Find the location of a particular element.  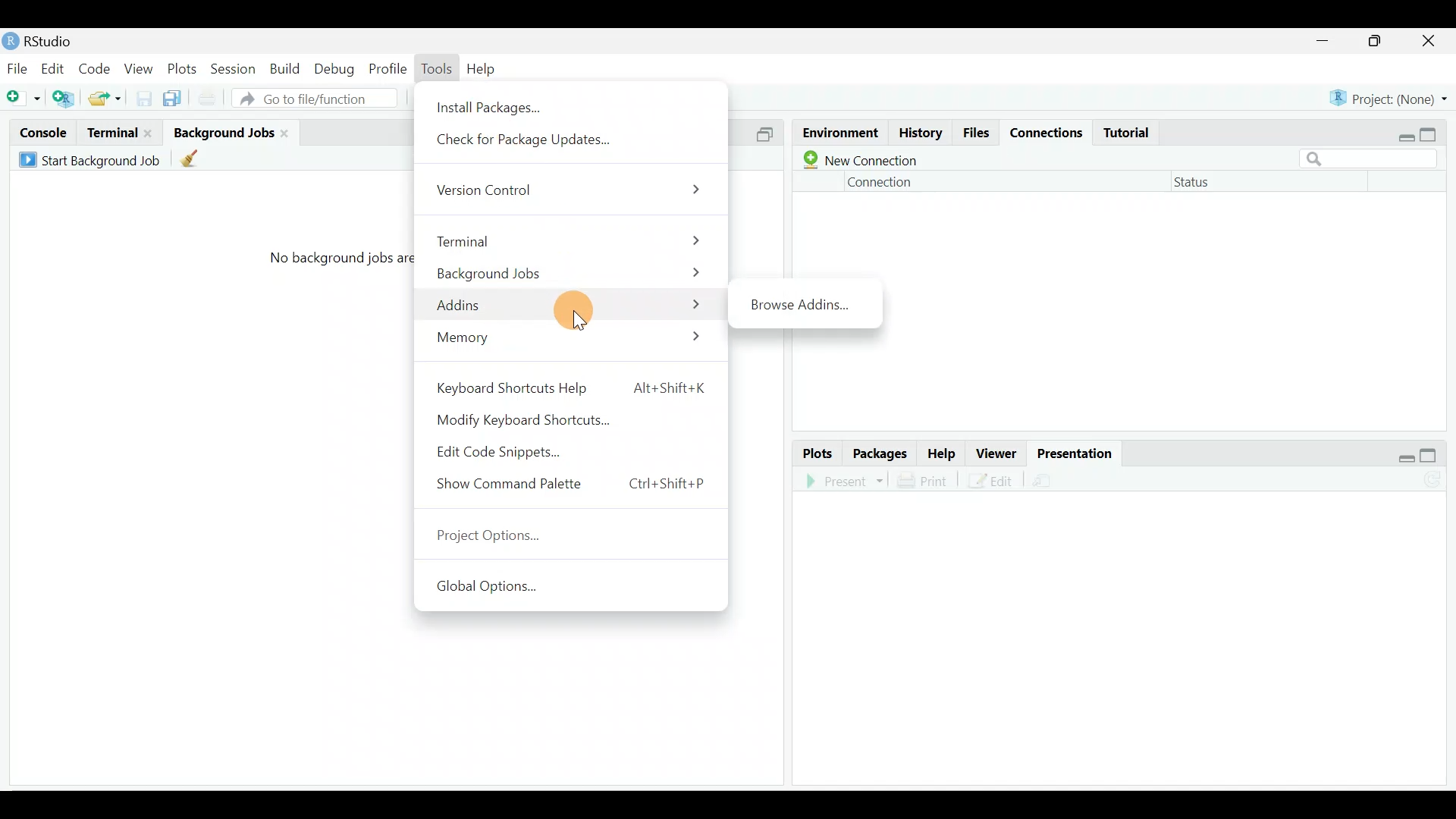

Help is located at coordinates (942, 452).